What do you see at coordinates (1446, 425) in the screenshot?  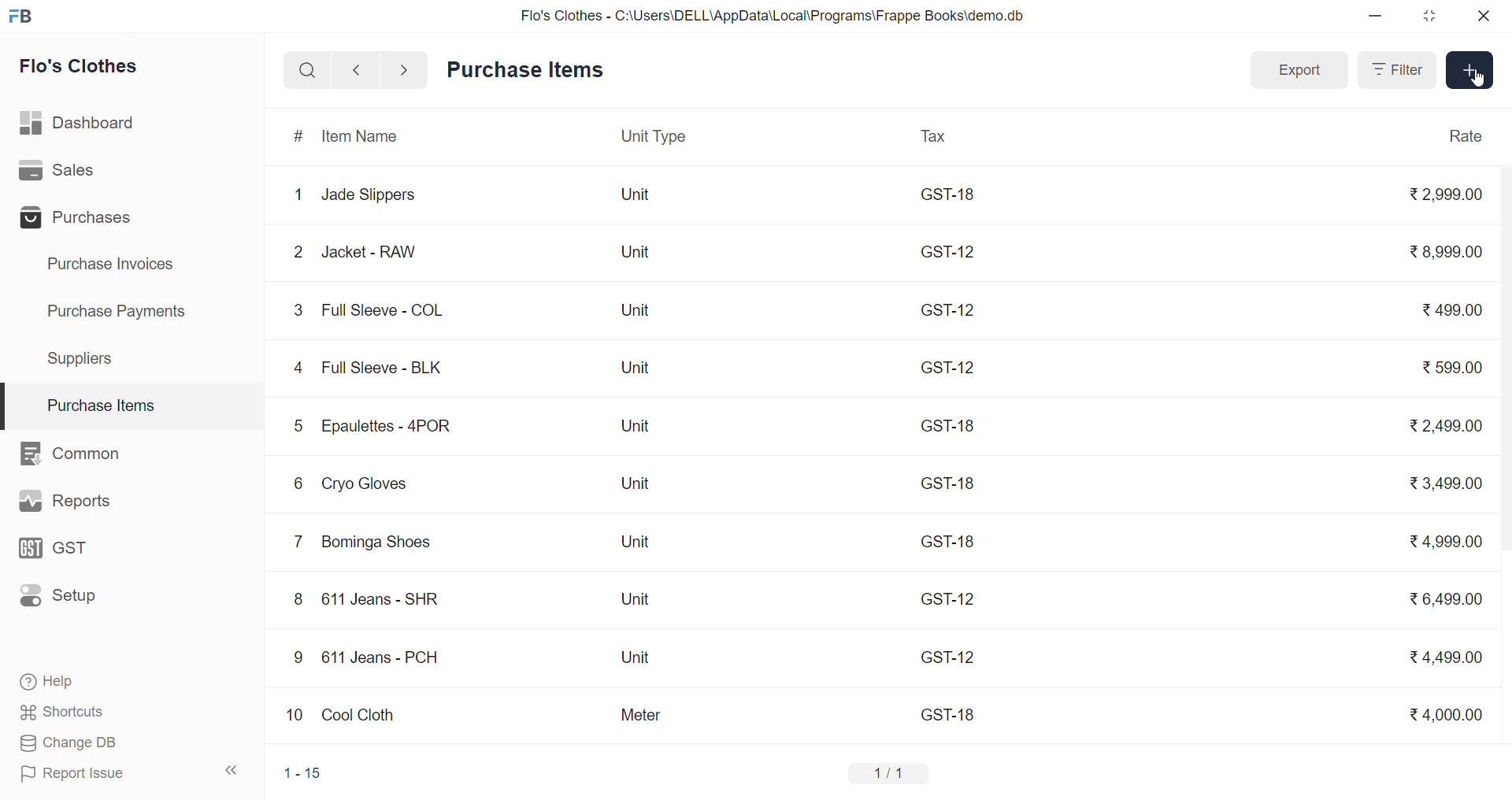 I see `₹2,499.00` at bounding box center [1446, 425].